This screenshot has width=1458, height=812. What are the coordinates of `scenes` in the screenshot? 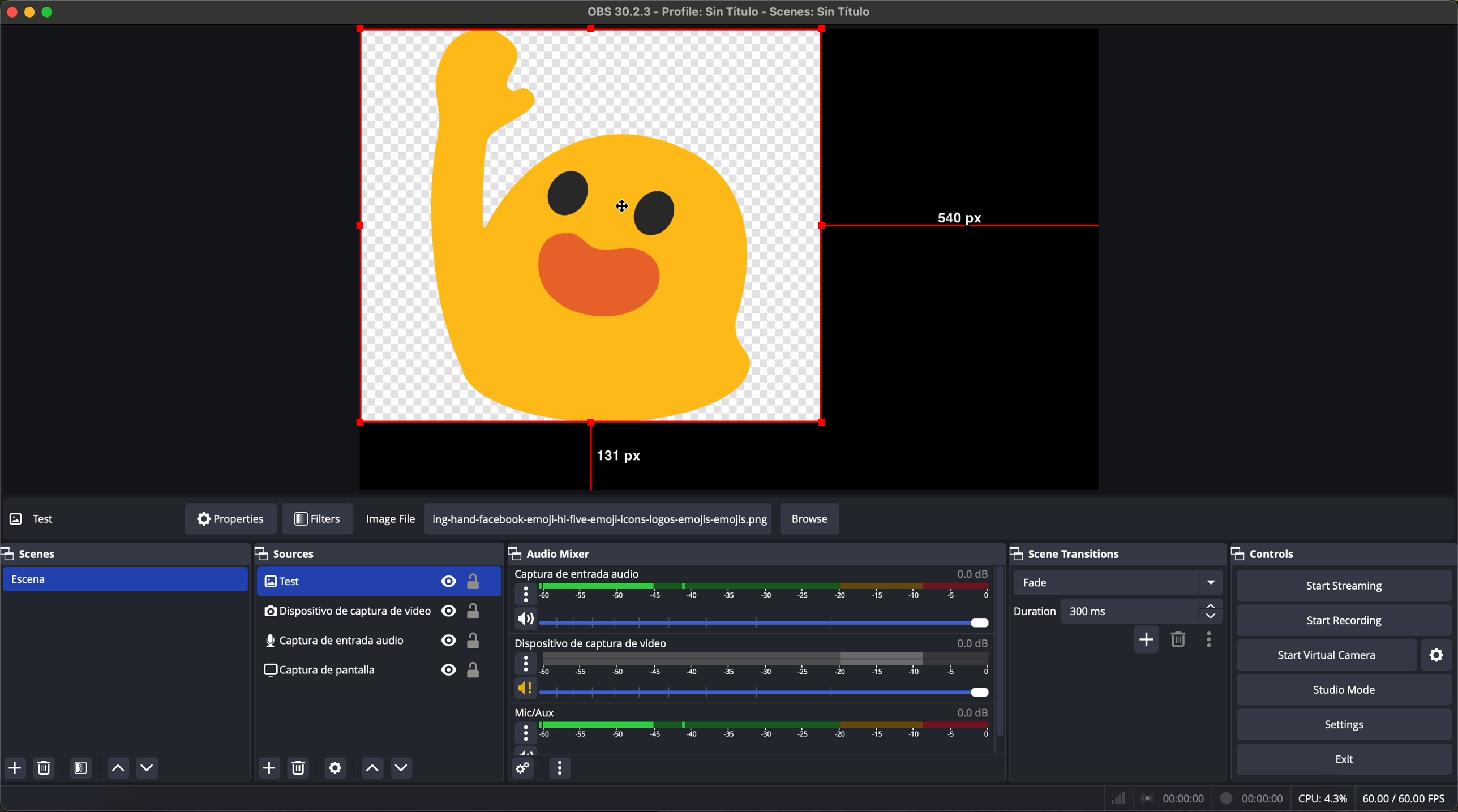 It's located at (31, 553).